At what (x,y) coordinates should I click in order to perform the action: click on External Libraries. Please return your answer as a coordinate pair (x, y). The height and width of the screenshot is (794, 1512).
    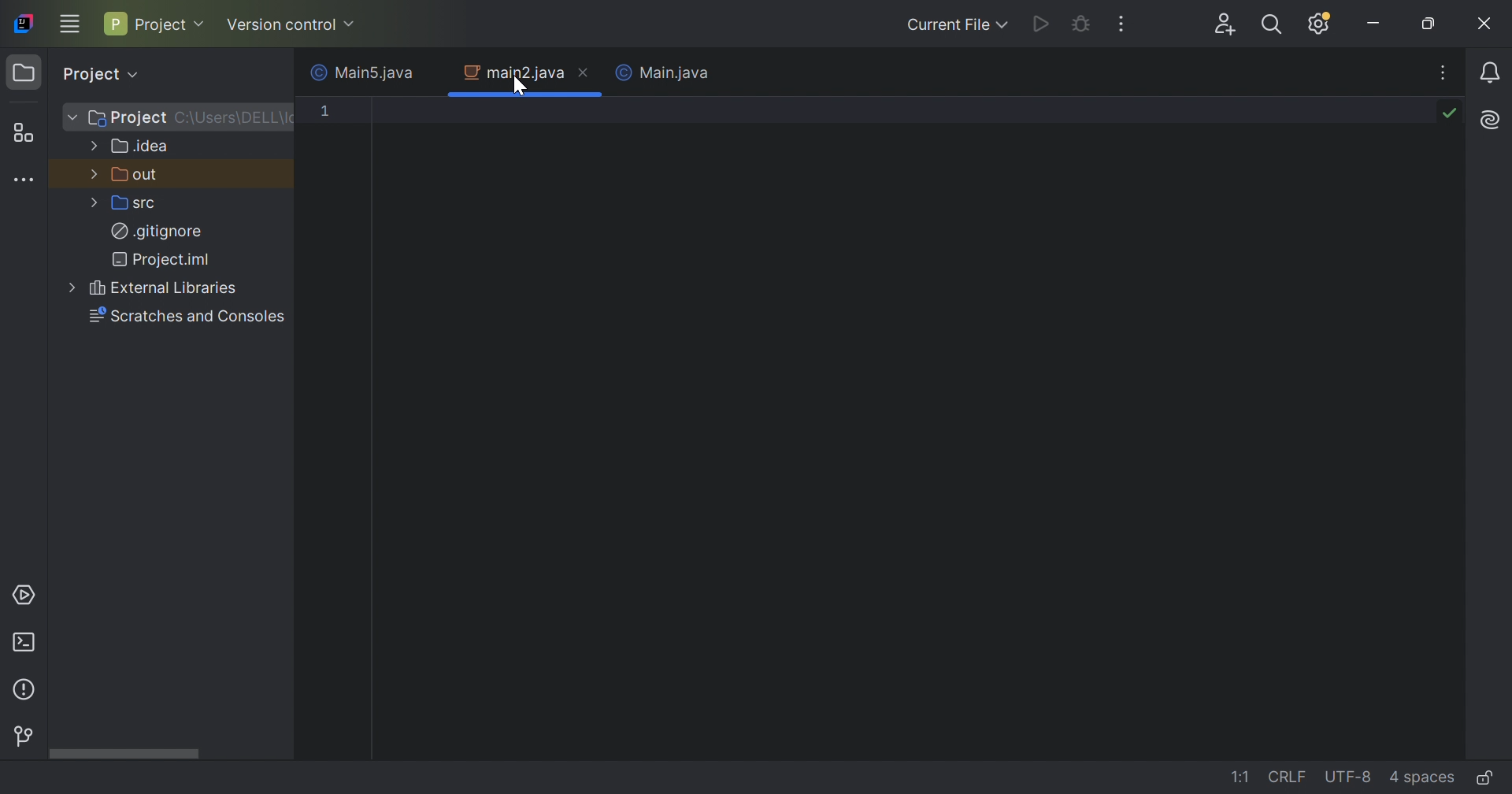
    Looking at the image, I should click on (165, 288).